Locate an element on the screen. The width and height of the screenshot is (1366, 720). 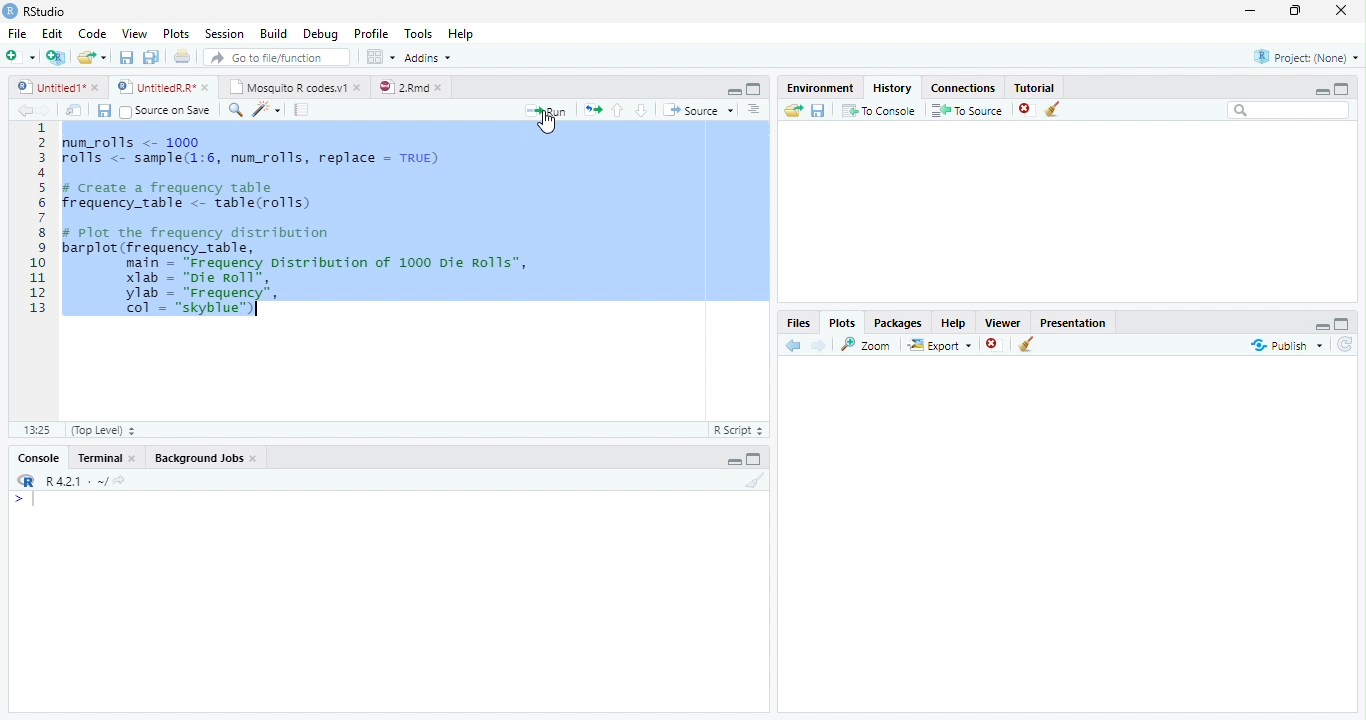
Tools is located at coordinates (420, 33).